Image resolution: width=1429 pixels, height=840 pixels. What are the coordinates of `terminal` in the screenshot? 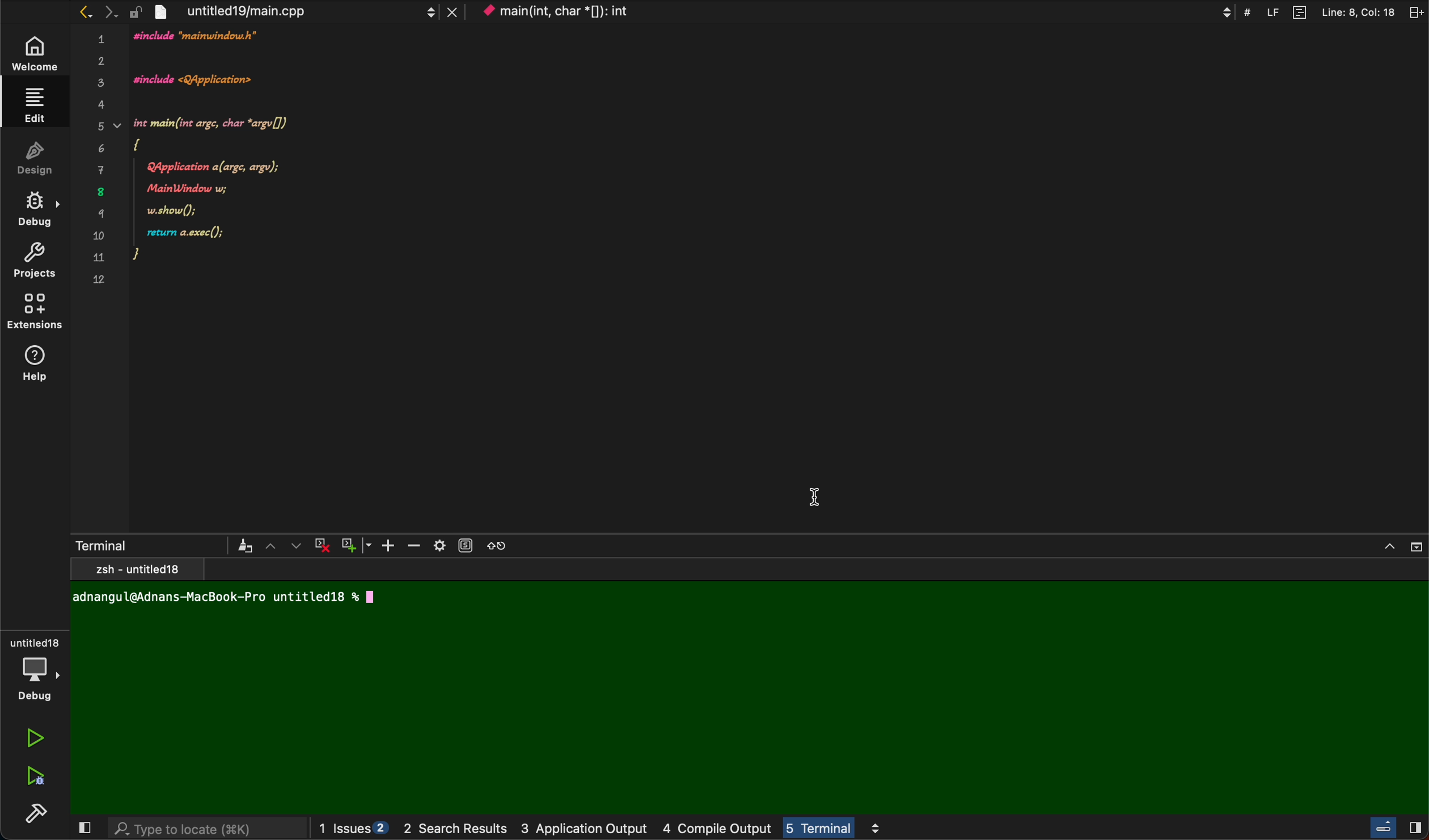 It's located at (749, 688).